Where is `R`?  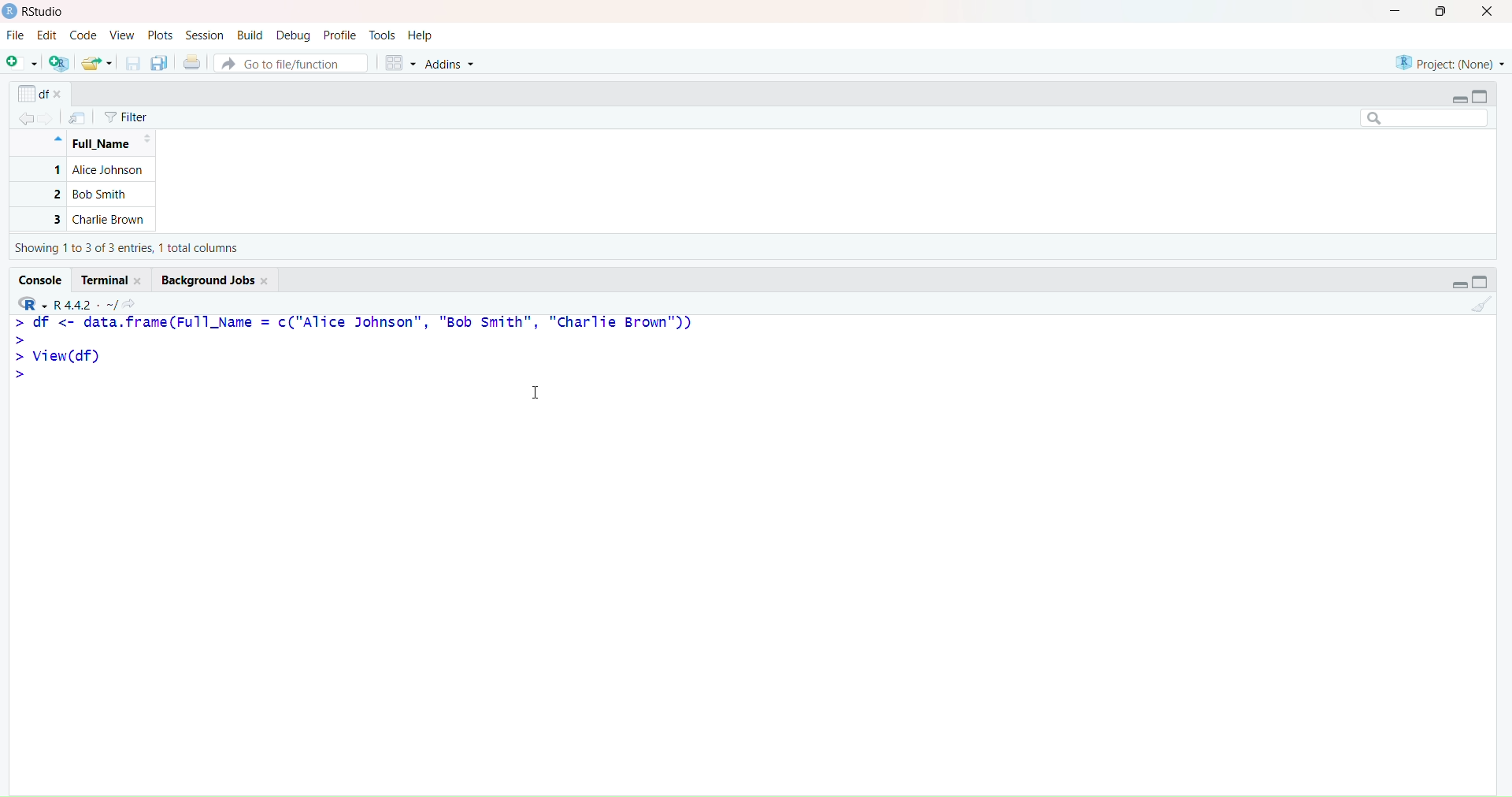 R is located at coordinates (31, 301).